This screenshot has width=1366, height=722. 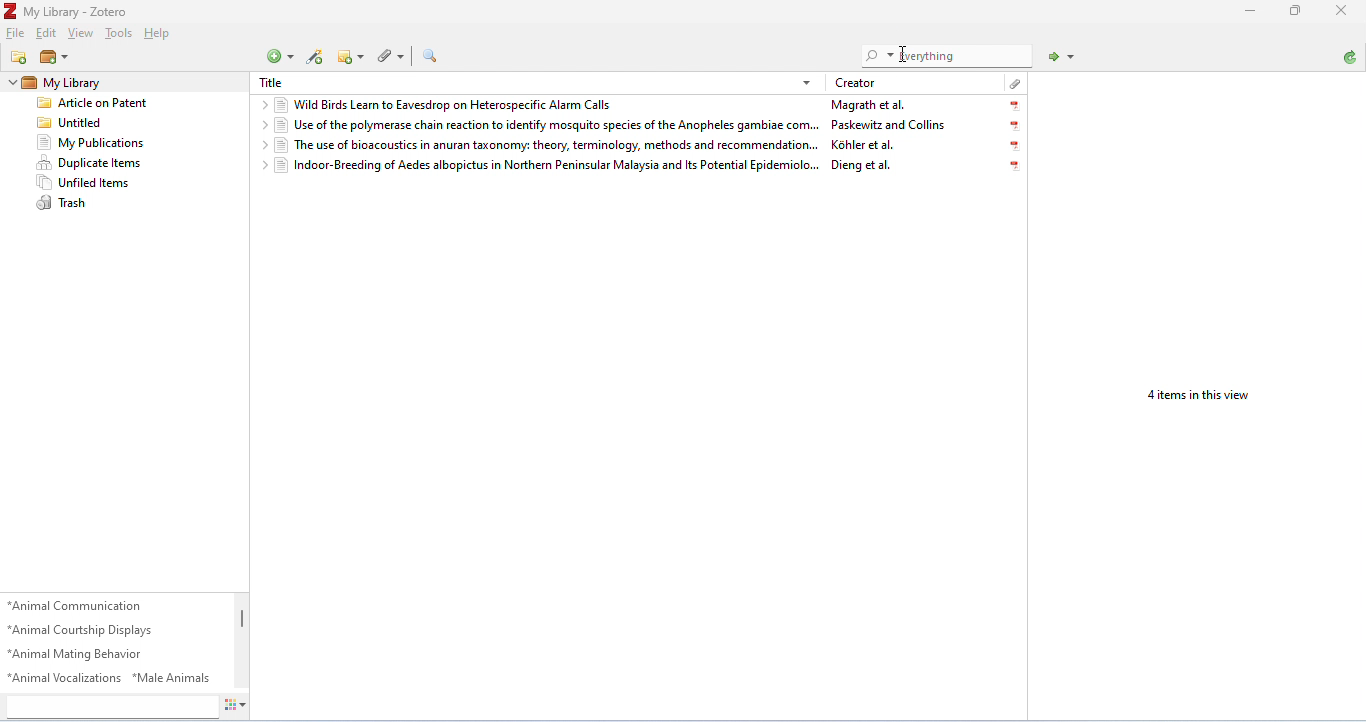 I want to click on *Animal Vocalizations *Male Animals, so click(x=113, y=679).